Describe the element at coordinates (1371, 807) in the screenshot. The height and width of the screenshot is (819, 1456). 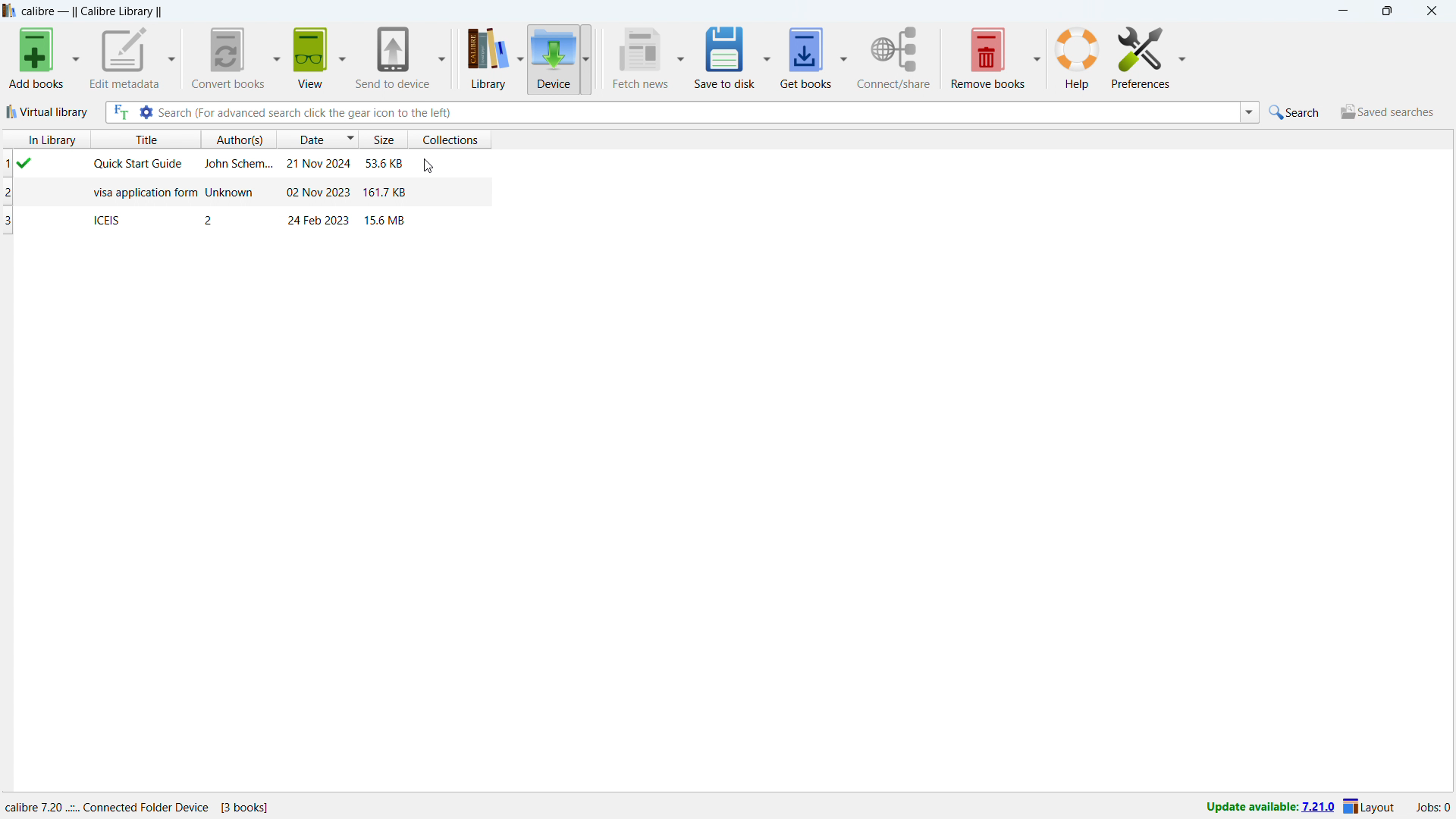
I see `layout` at that location.